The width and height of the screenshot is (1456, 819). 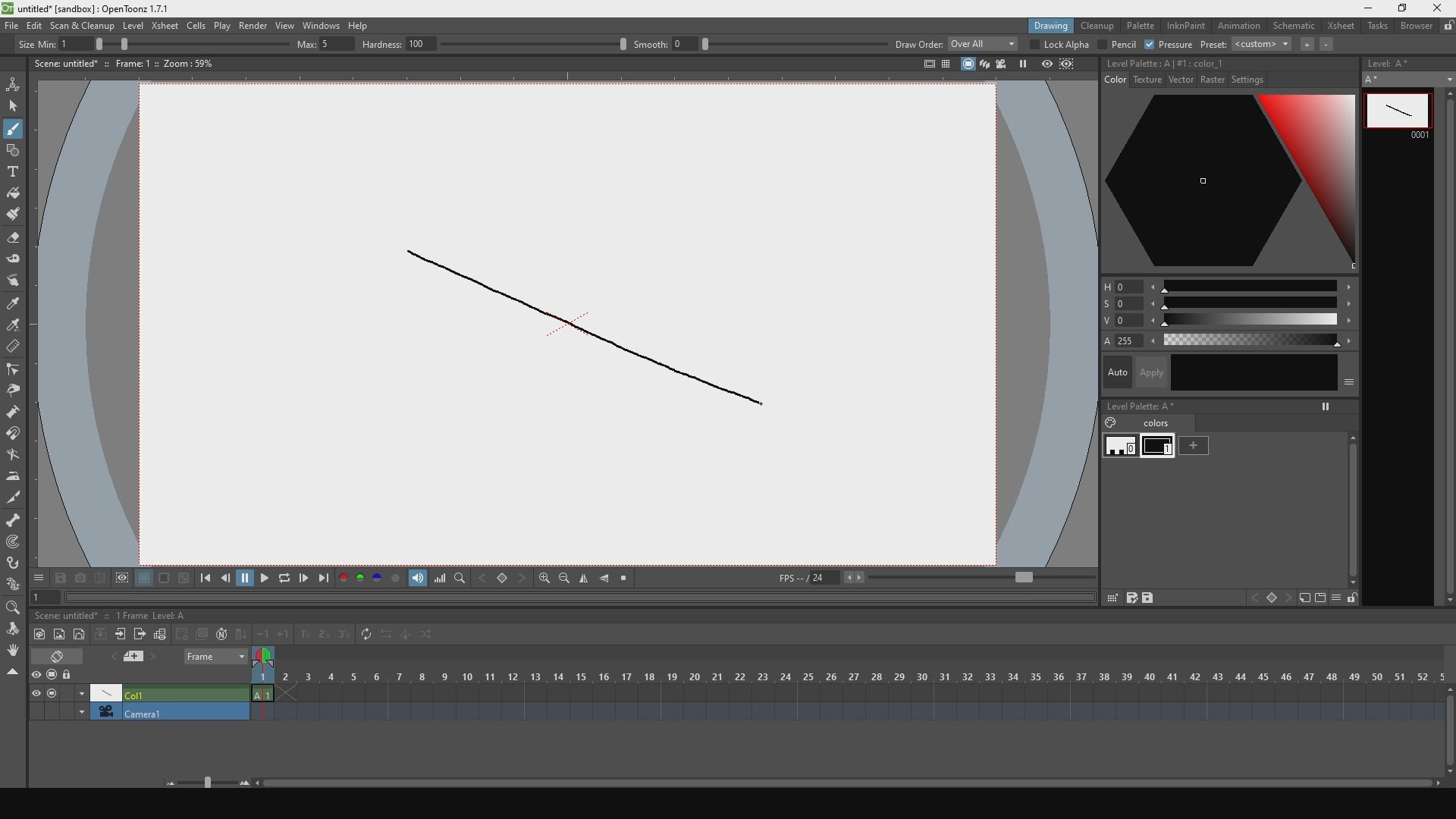 I want to click on stop, so click(x=965, y=67).